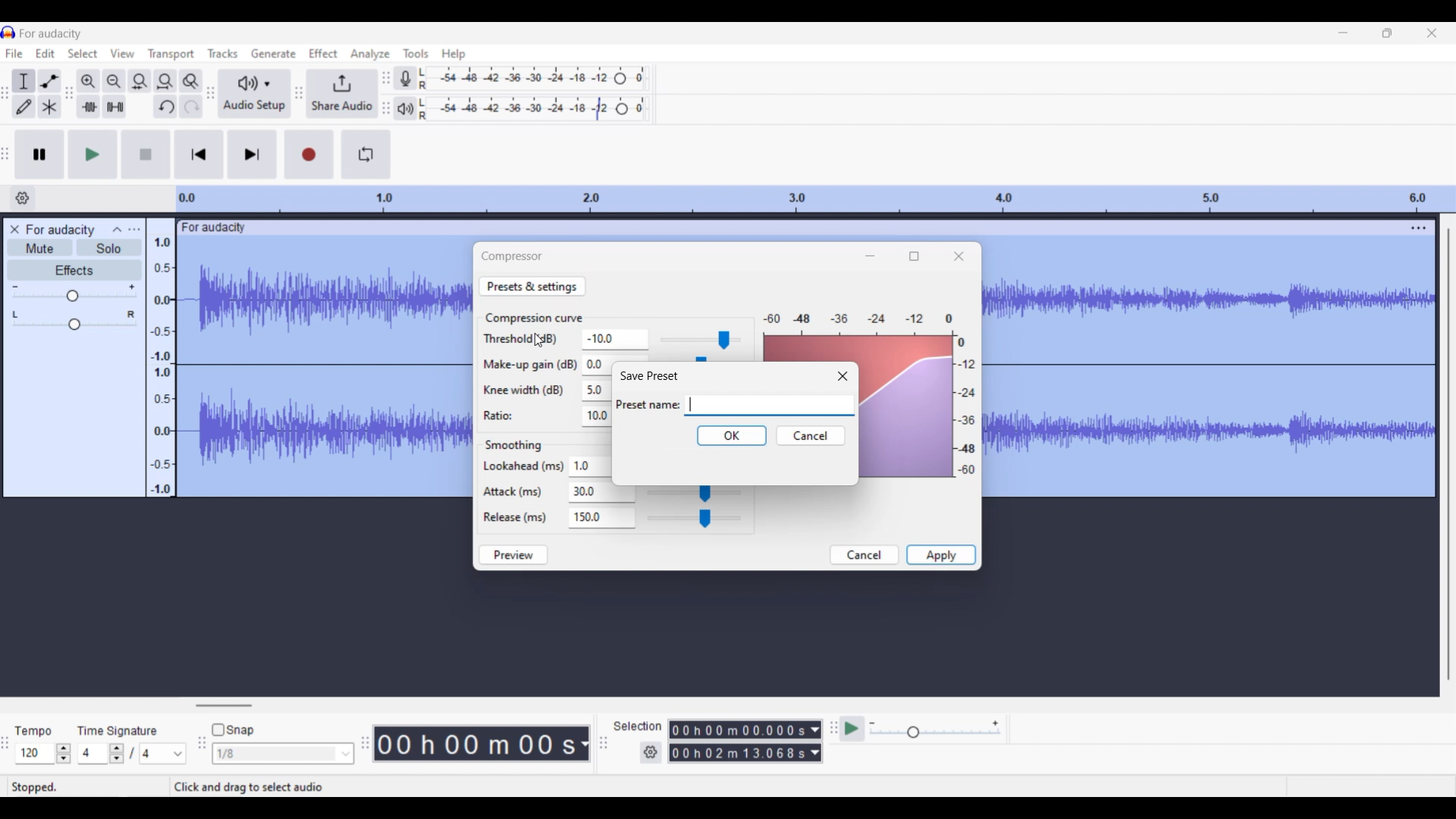 This screenshot has width=1456, height=819. What do you see at coordinates (535, 78) in the screenshot?
I see `Recording level` at bounding box center [535, 78].